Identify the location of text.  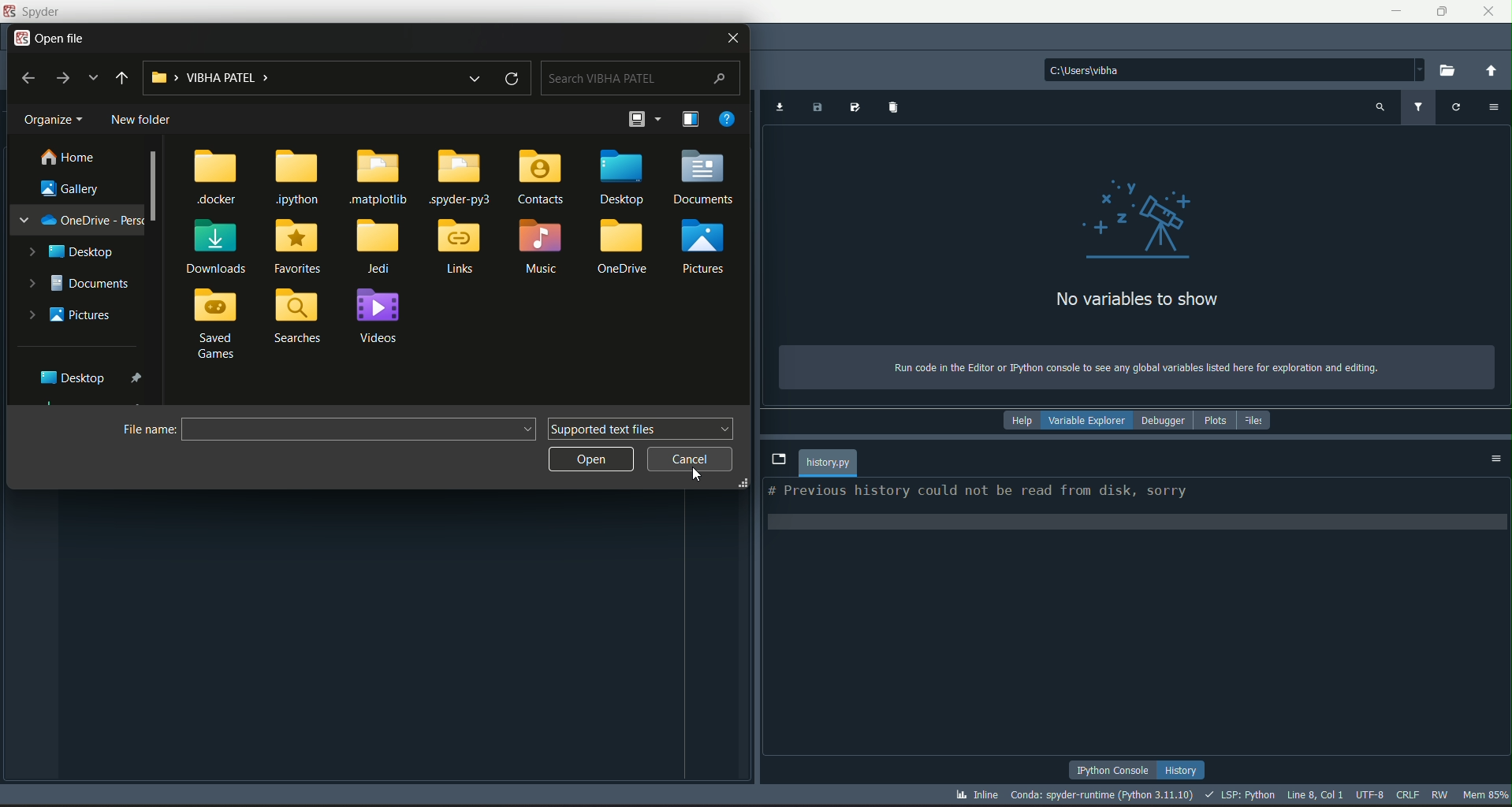
(1137, 299).